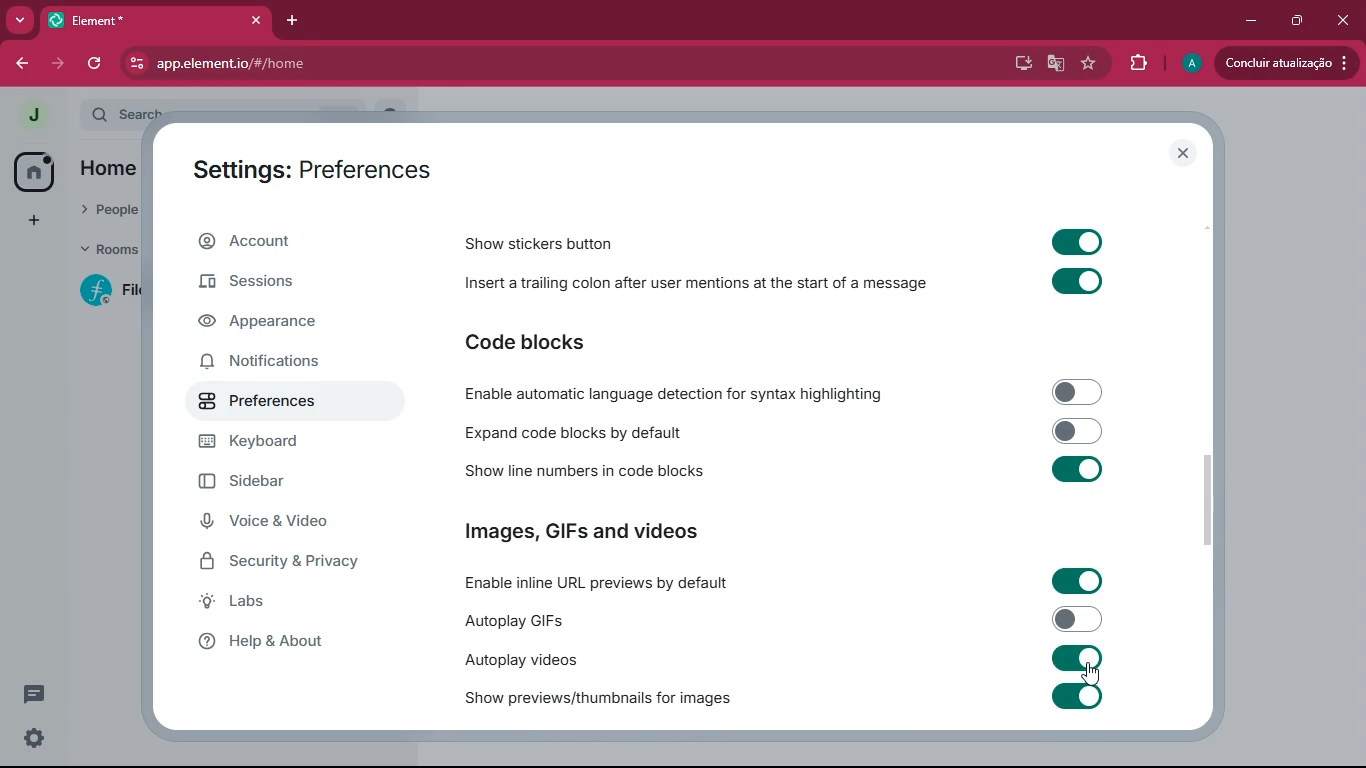  Describe the element at coordinates (123, 113) in the screenshot. I see `search bar` at that location.